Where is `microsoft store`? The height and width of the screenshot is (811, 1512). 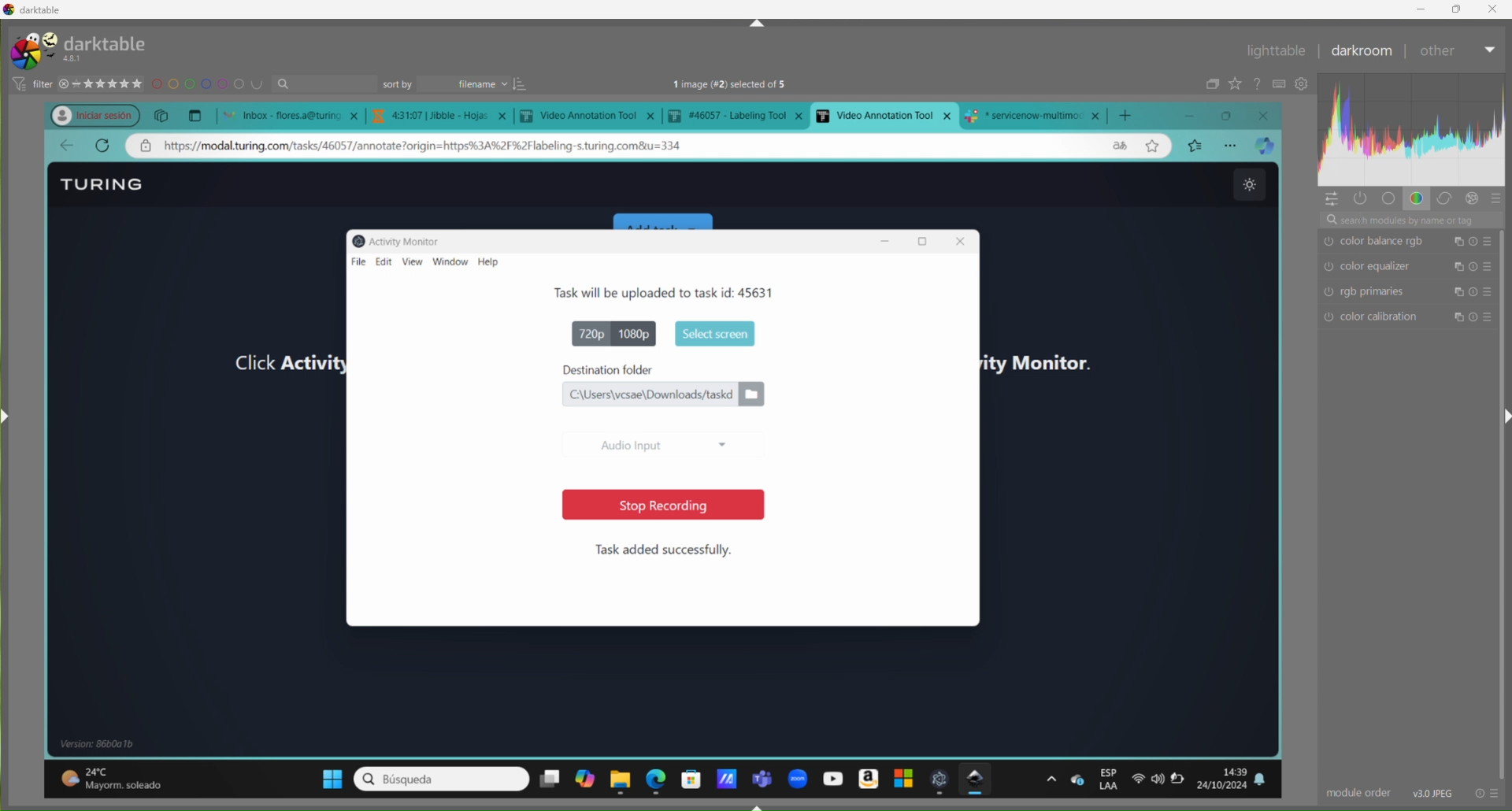
microsoft store is located at coordinates (691, 777).